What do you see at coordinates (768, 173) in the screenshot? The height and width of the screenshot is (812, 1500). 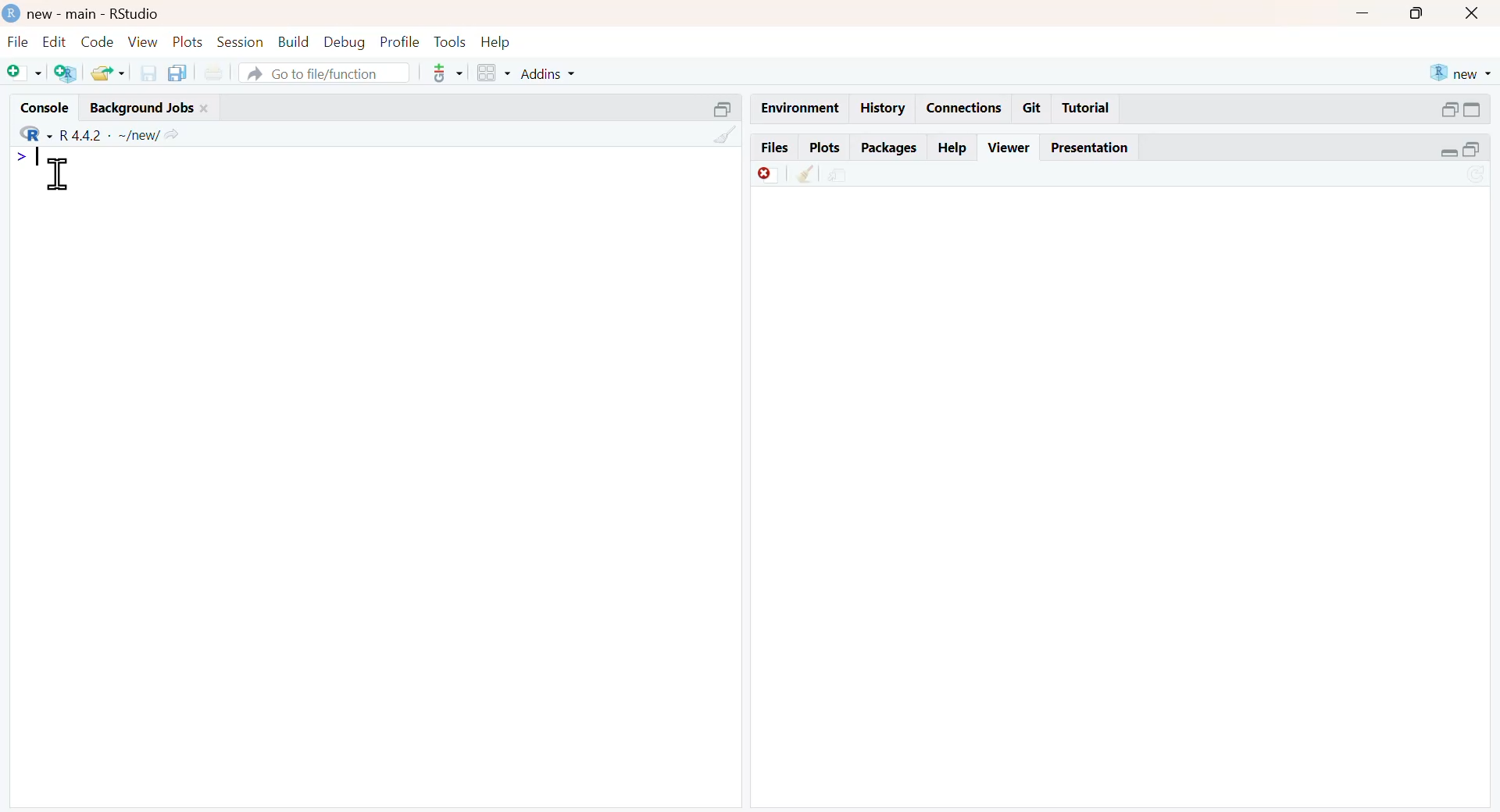 I see `offline` at bounding box center [768, 173].